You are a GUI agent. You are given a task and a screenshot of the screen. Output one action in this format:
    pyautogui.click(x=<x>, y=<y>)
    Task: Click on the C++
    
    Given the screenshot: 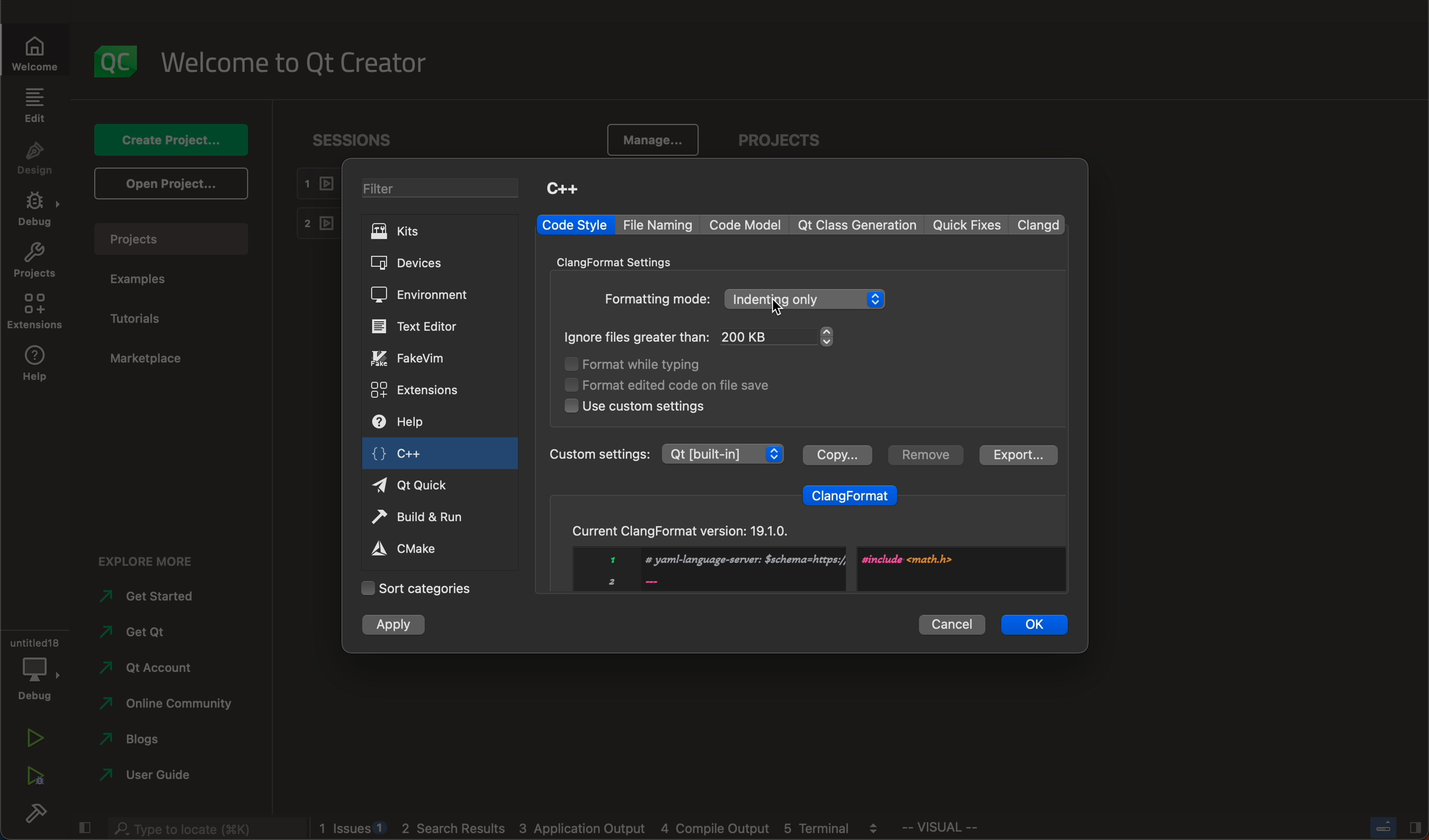 What is the action you would take?
    pyautogui.click(x=562, y=188)
    